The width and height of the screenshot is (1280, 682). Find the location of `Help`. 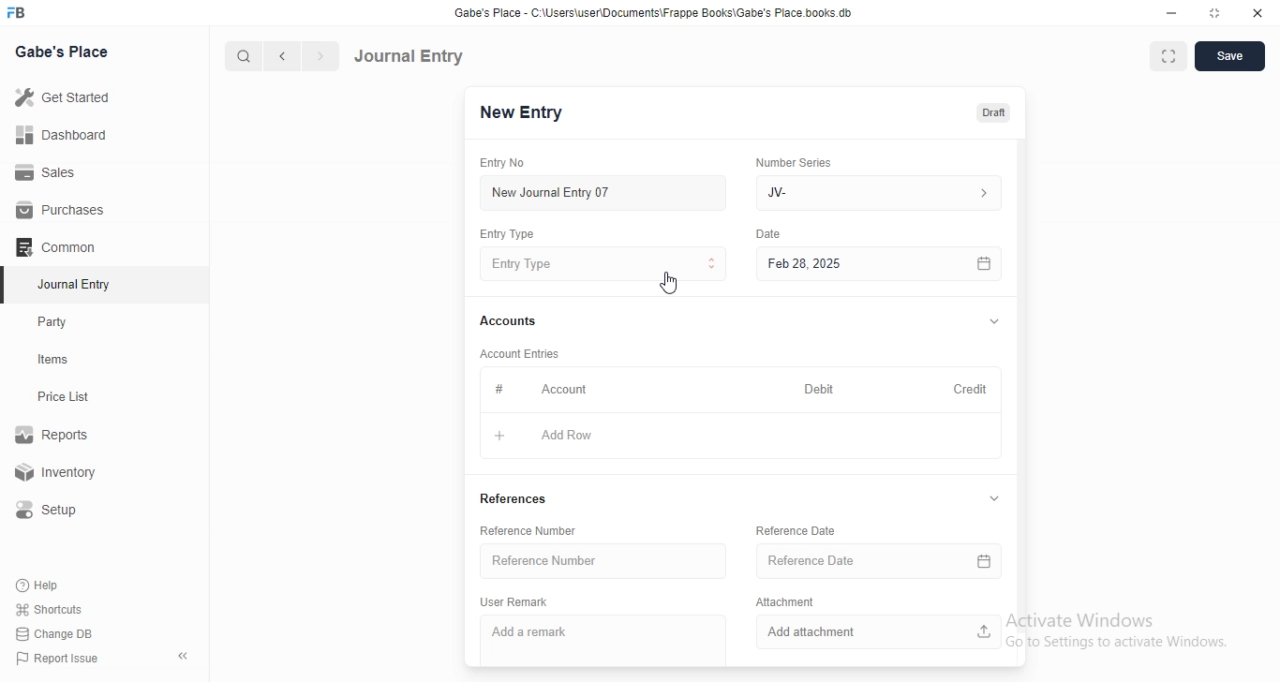

Help is located at coordinates (41, 585).